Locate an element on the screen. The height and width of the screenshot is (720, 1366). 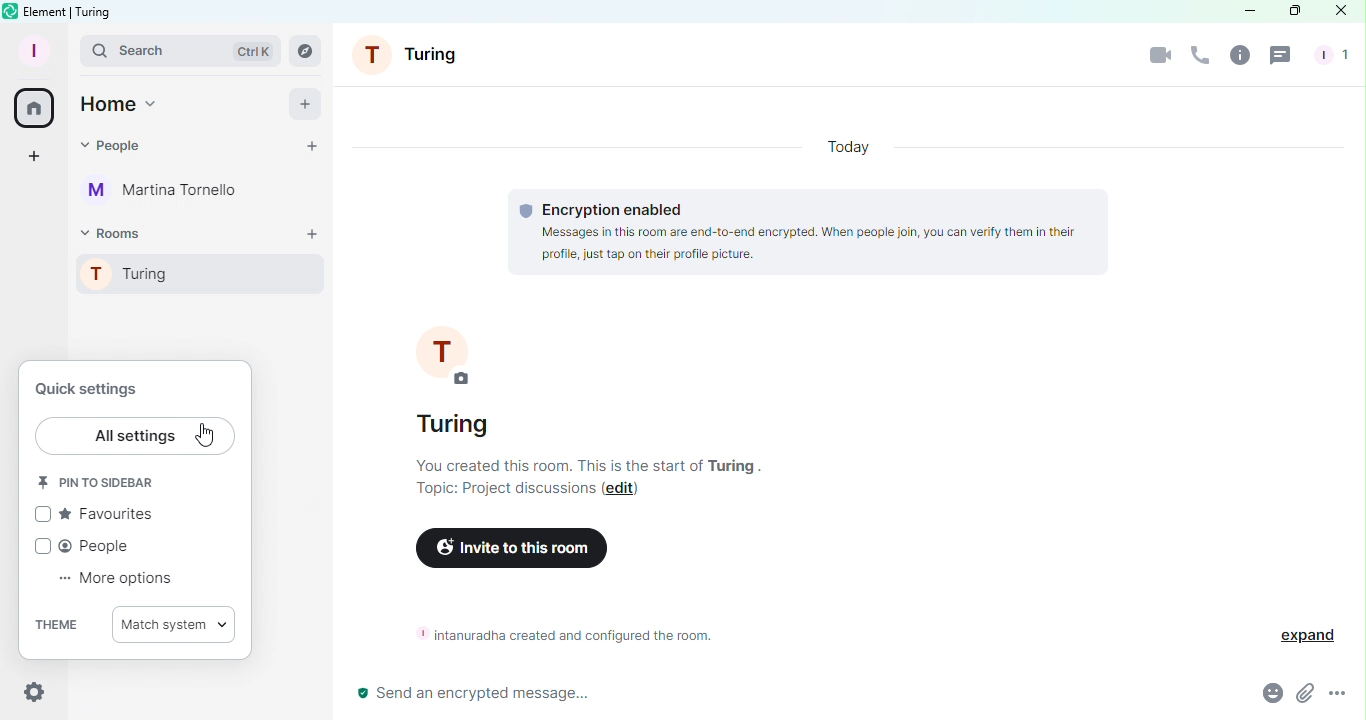
Add a room is located at coordinates (311, 236).